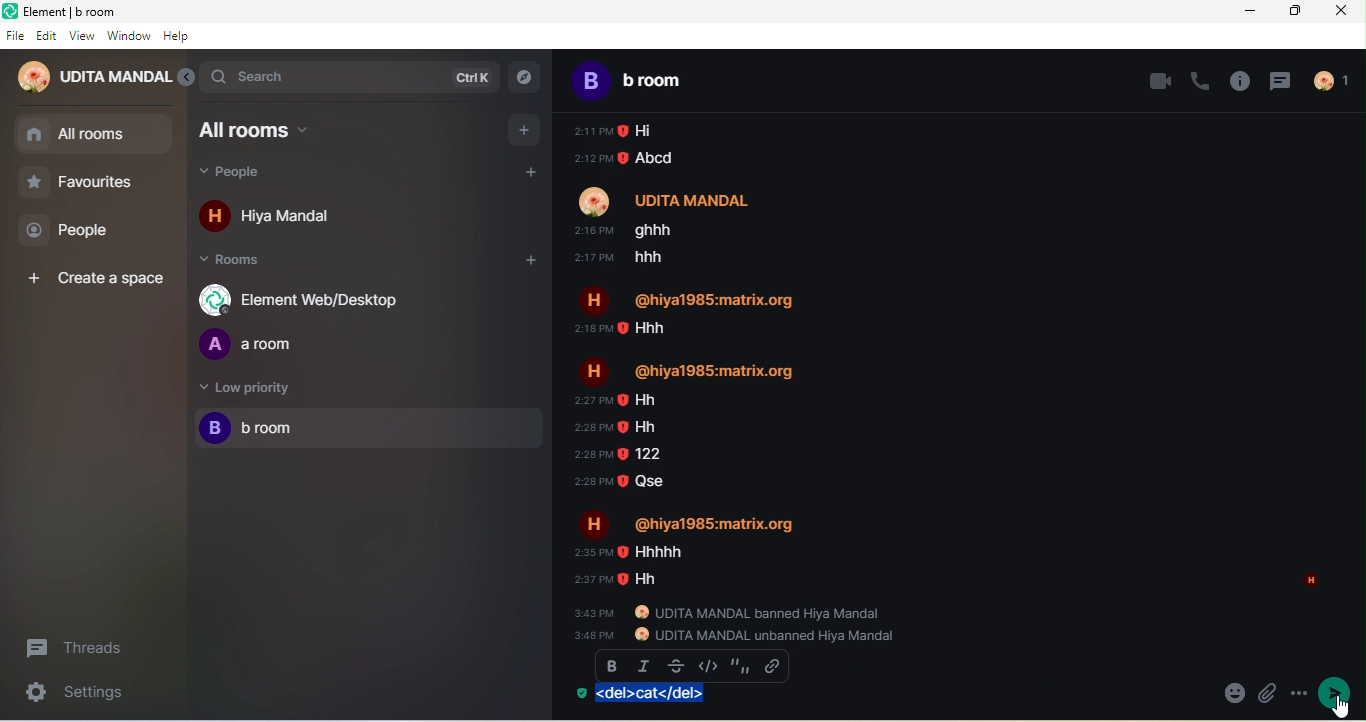  Describe the element at coordinates (1203, 79) in the screenshot. I see `voice call` at that location.